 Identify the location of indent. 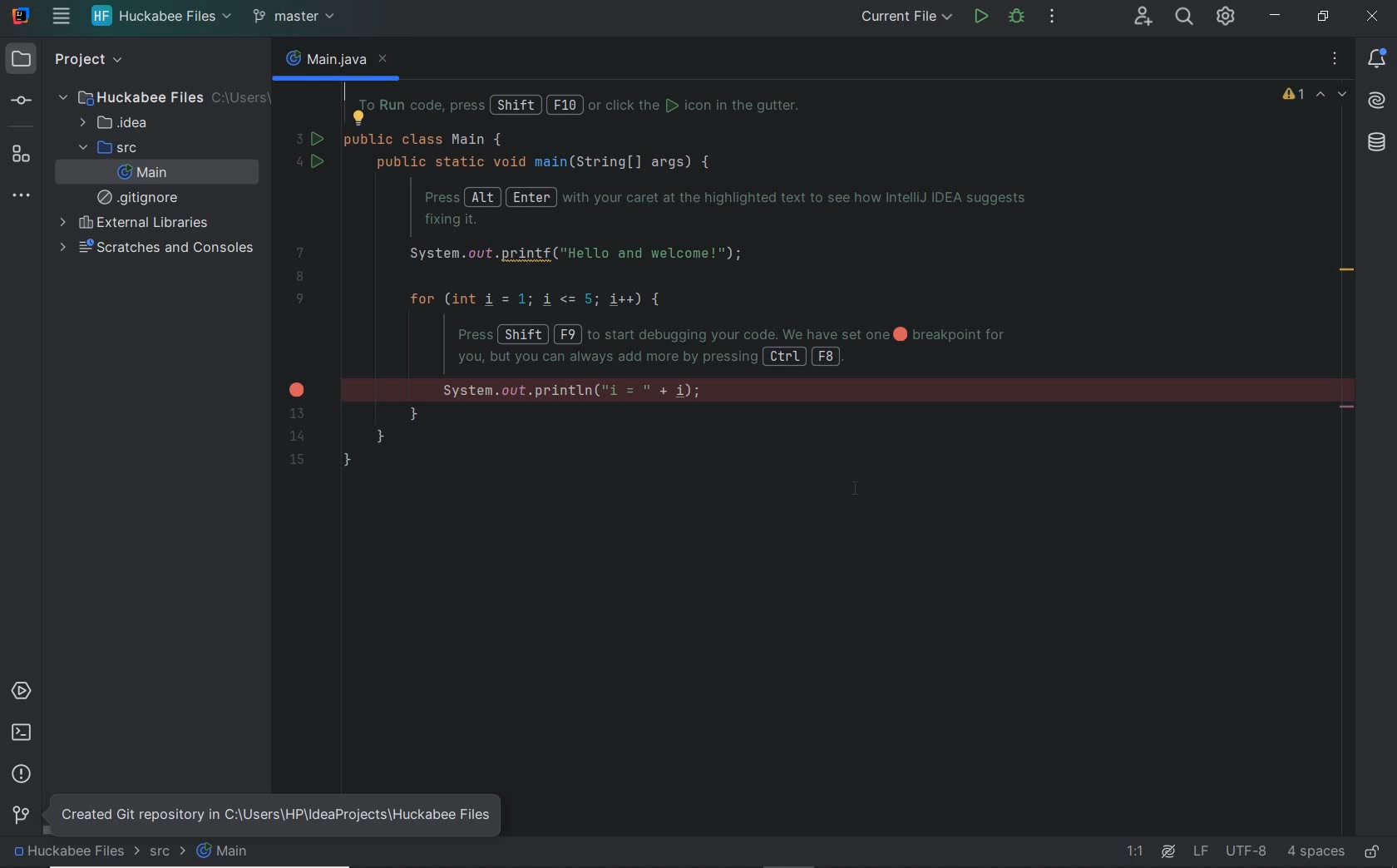
(1314, 851).